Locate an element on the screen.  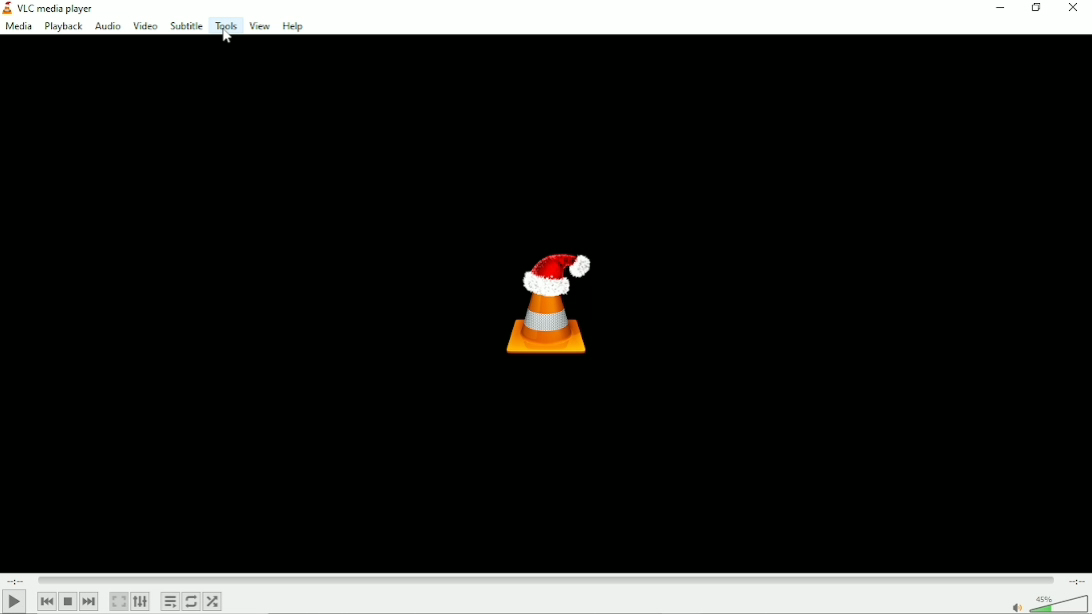
View is located at coordinates (258, 26).